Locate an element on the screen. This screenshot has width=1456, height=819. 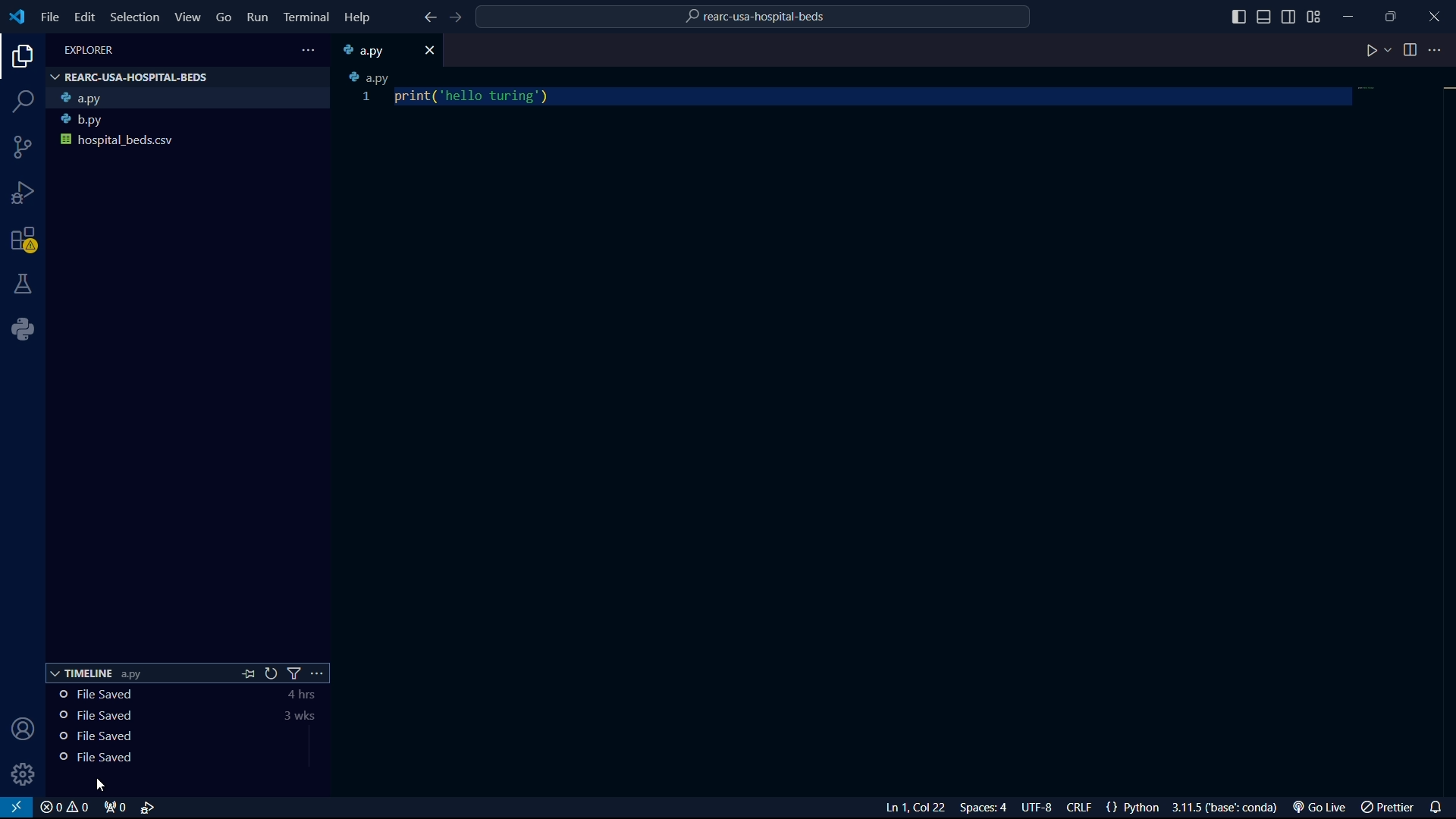
more actions is located at coordinates (1439, 51).